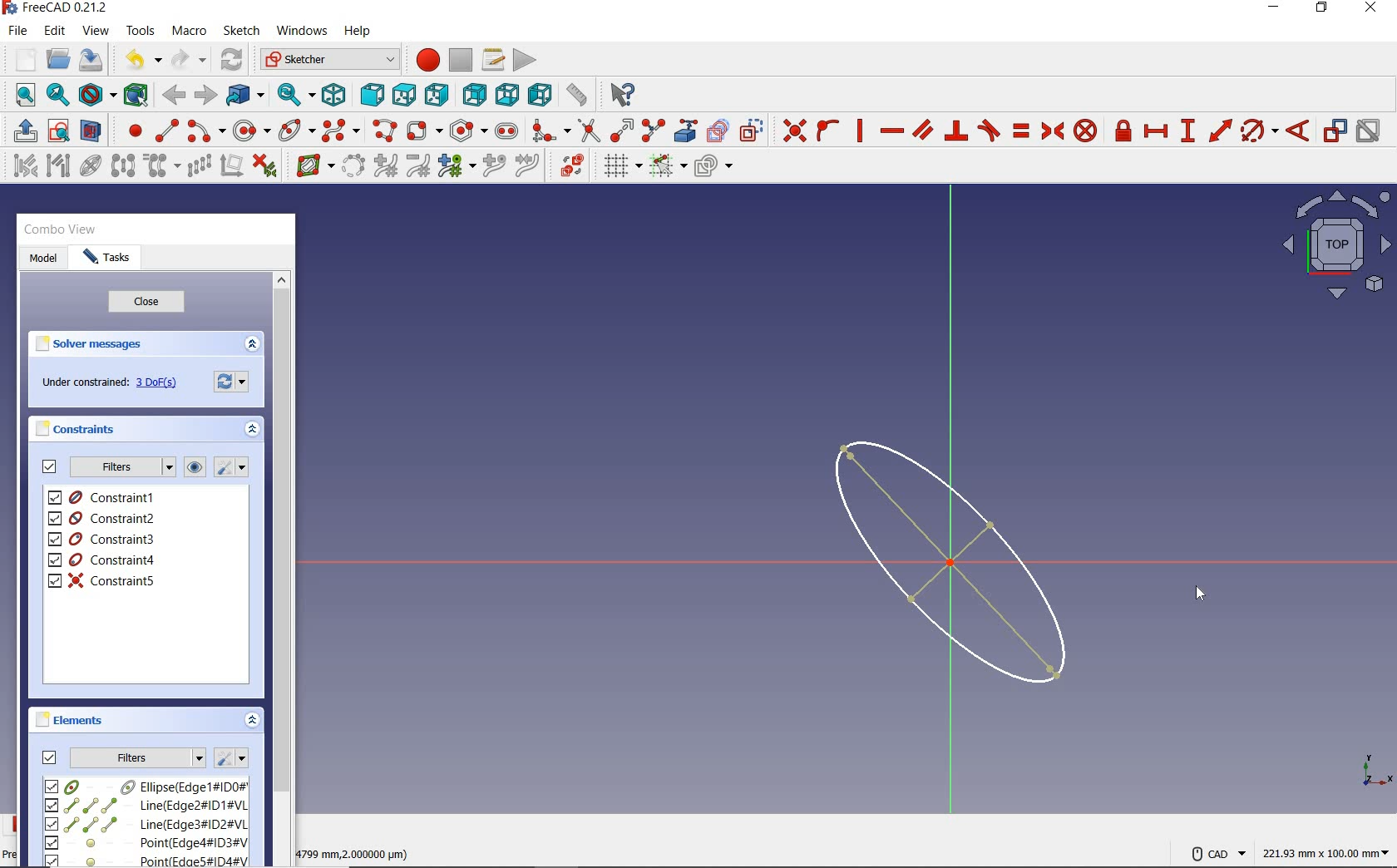 The width and height of the screenshot is (1397, 868). What do you see at coordinates (474, 94) in the screenshot?
I see `rear` at bounding box center [474, 94].